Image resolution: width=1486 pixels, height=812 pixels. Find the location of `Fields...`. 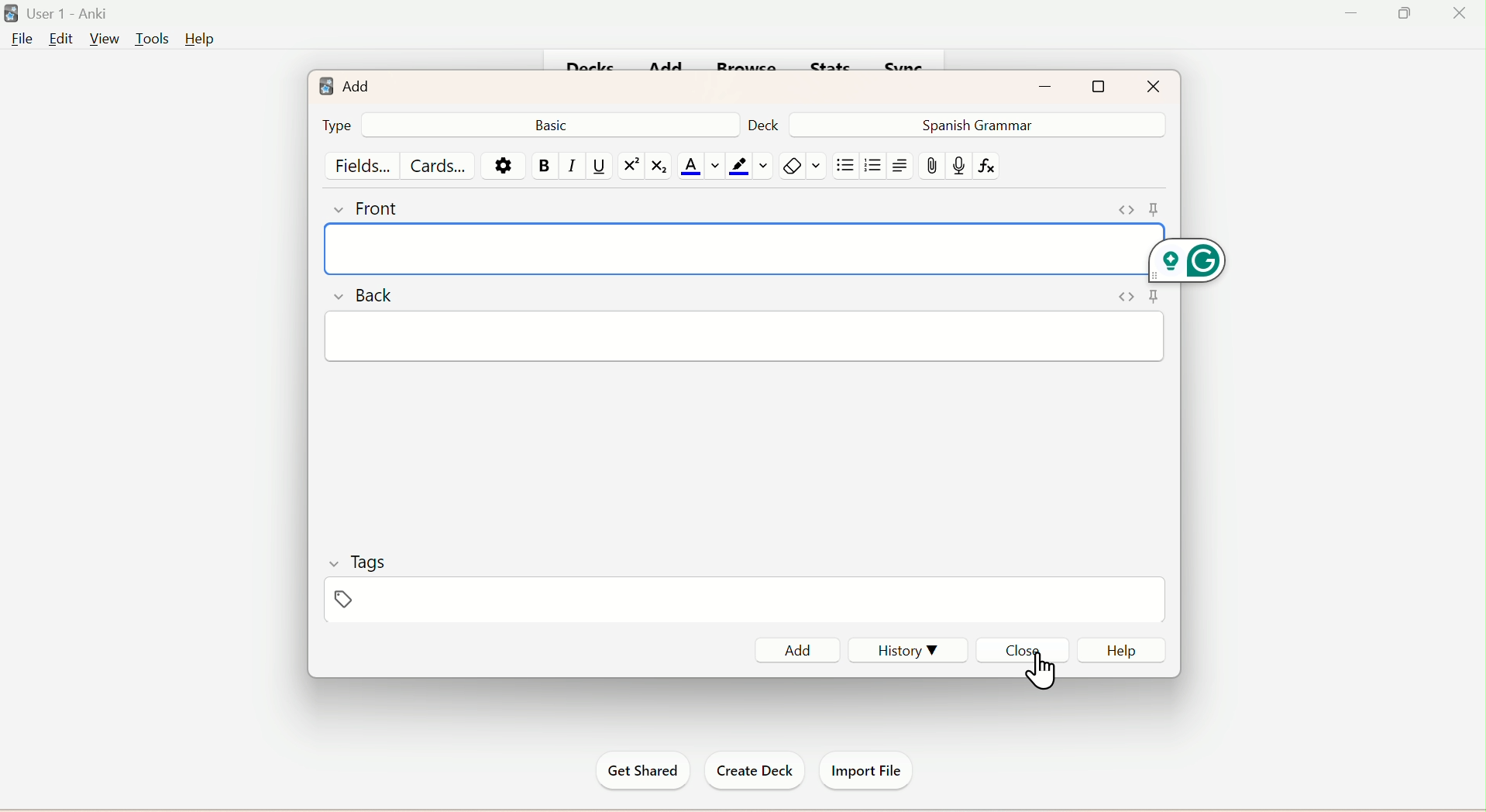

Fields... is located at coordinates (364, 164).